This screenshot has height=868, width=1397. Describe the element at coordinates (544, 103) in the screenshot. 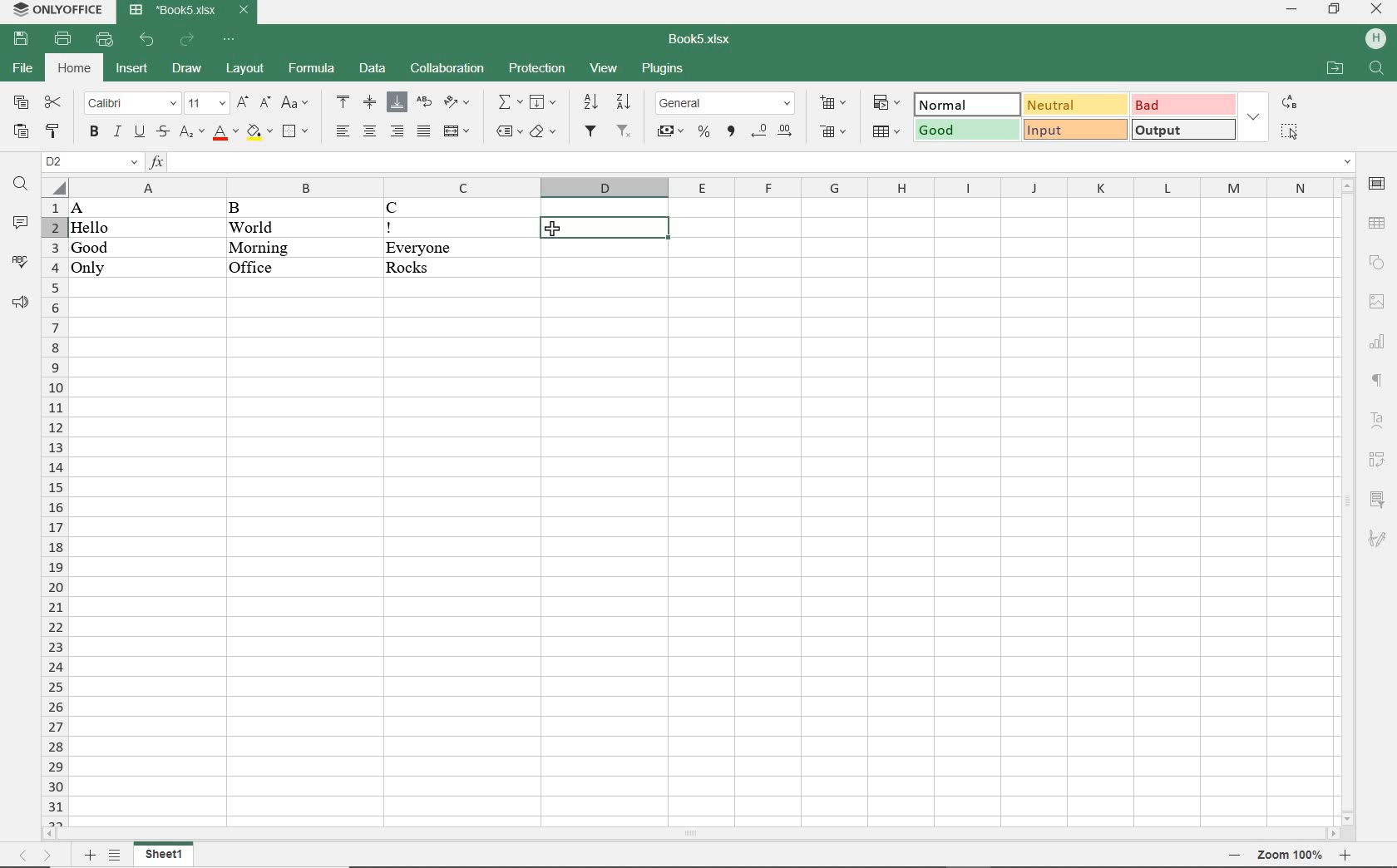

I see `fill` at that location.